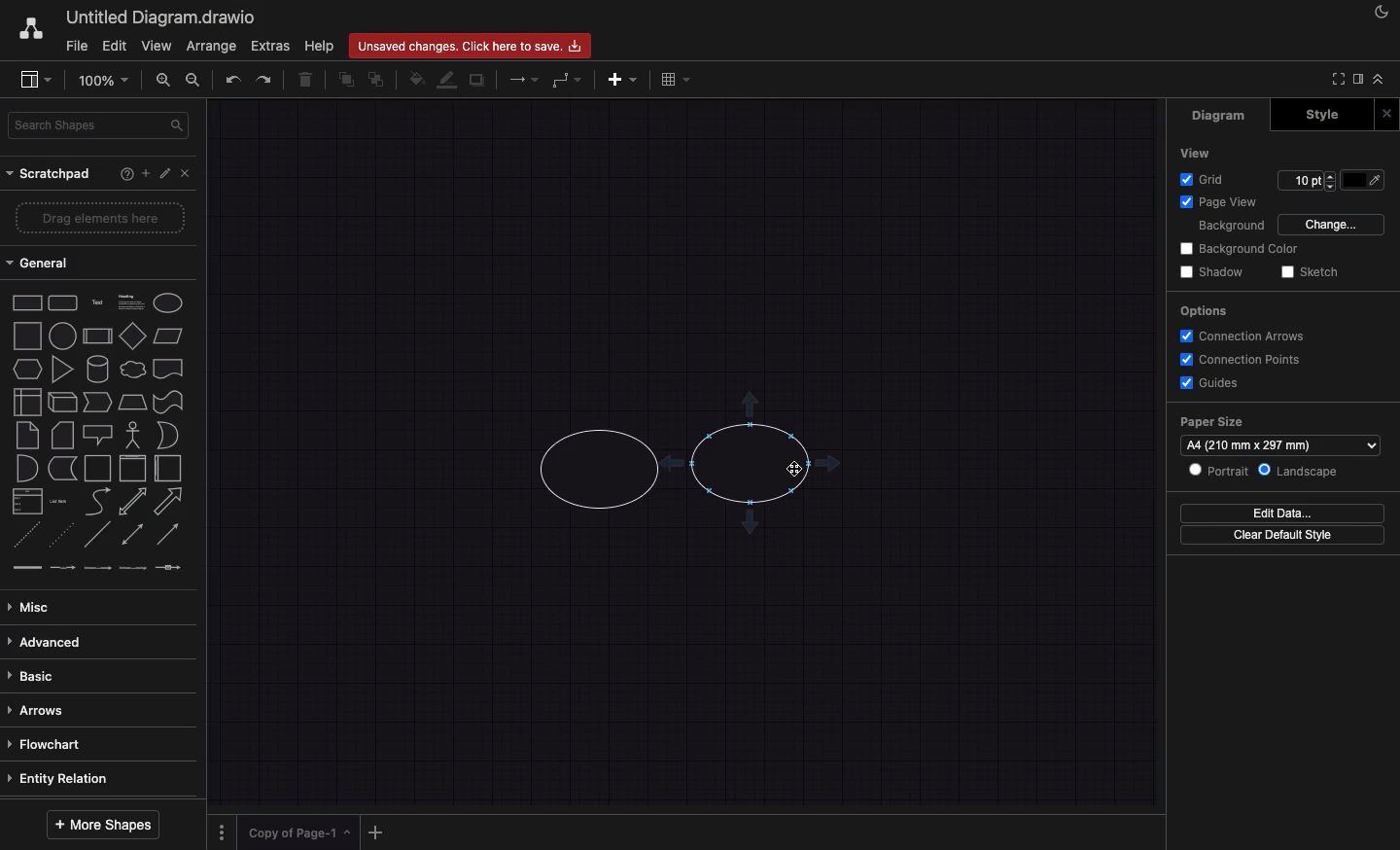 This screenshot has height=850, width=1400. What do you see at coordinates (598, 466) in the screenshot?
I see `circle` at bounding box center [598, 466].